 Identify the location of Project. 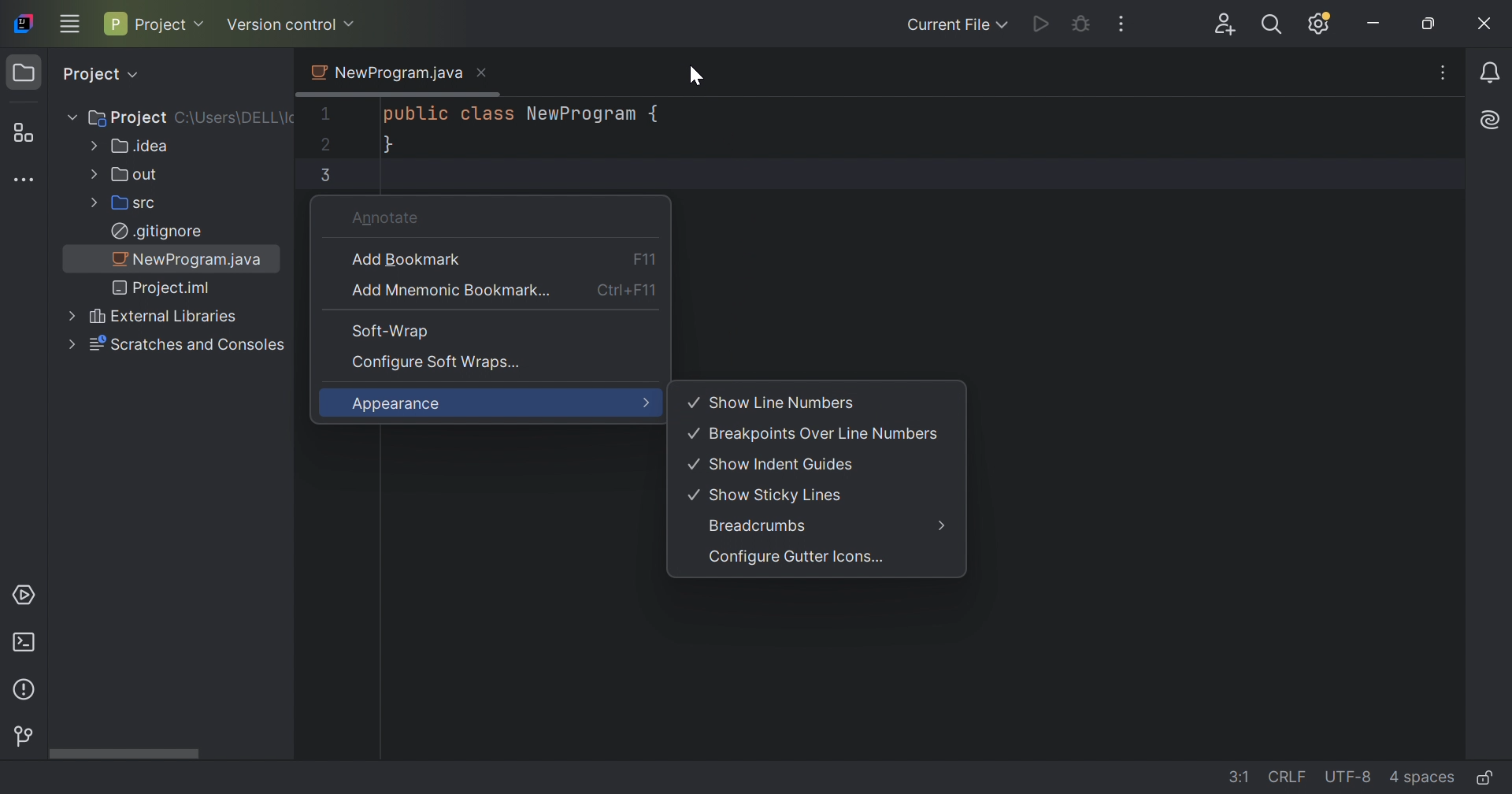
(128, 117).